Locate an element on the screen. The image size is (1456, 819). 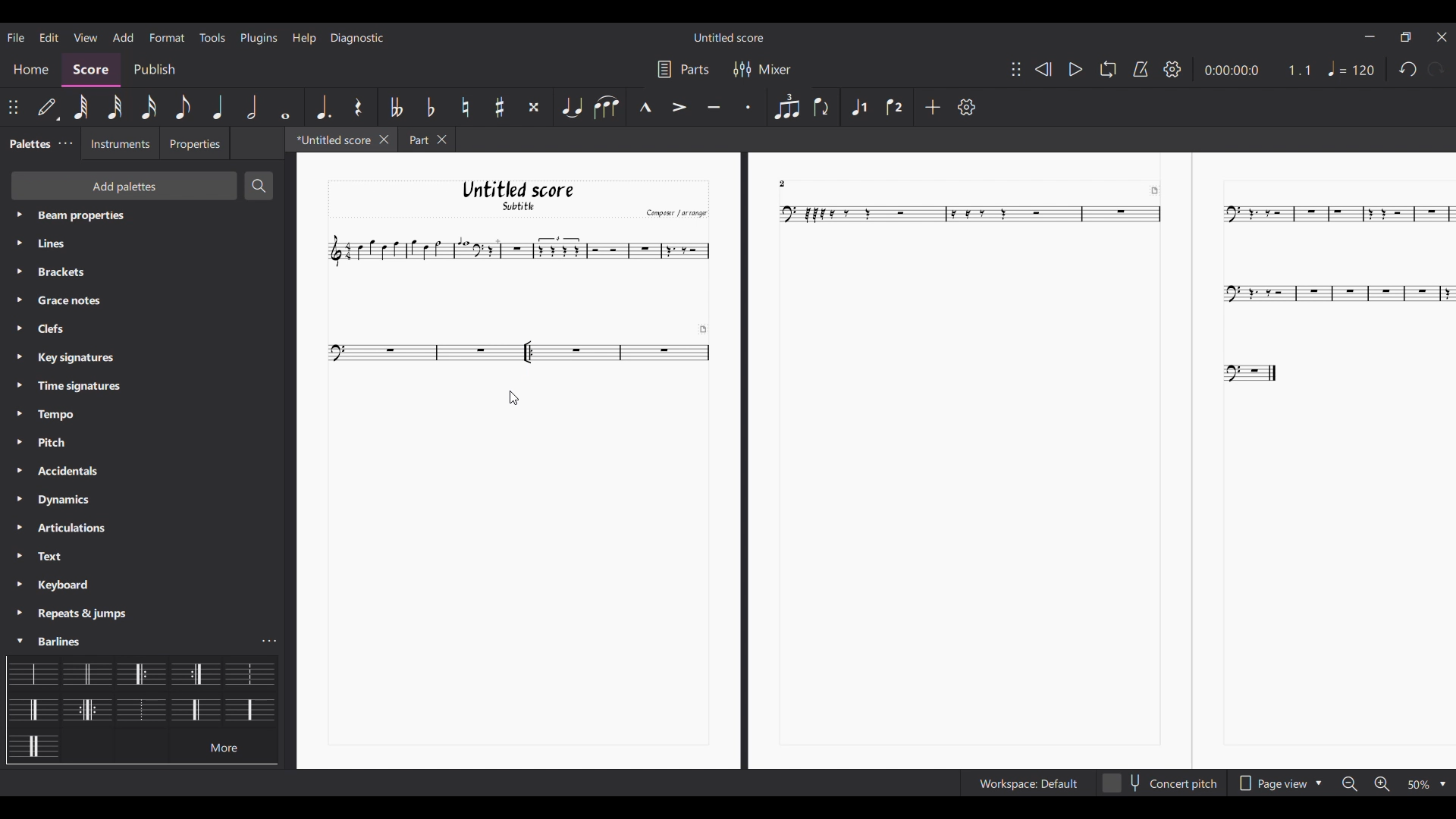
Palette settings is located at coordinates (58, 559).